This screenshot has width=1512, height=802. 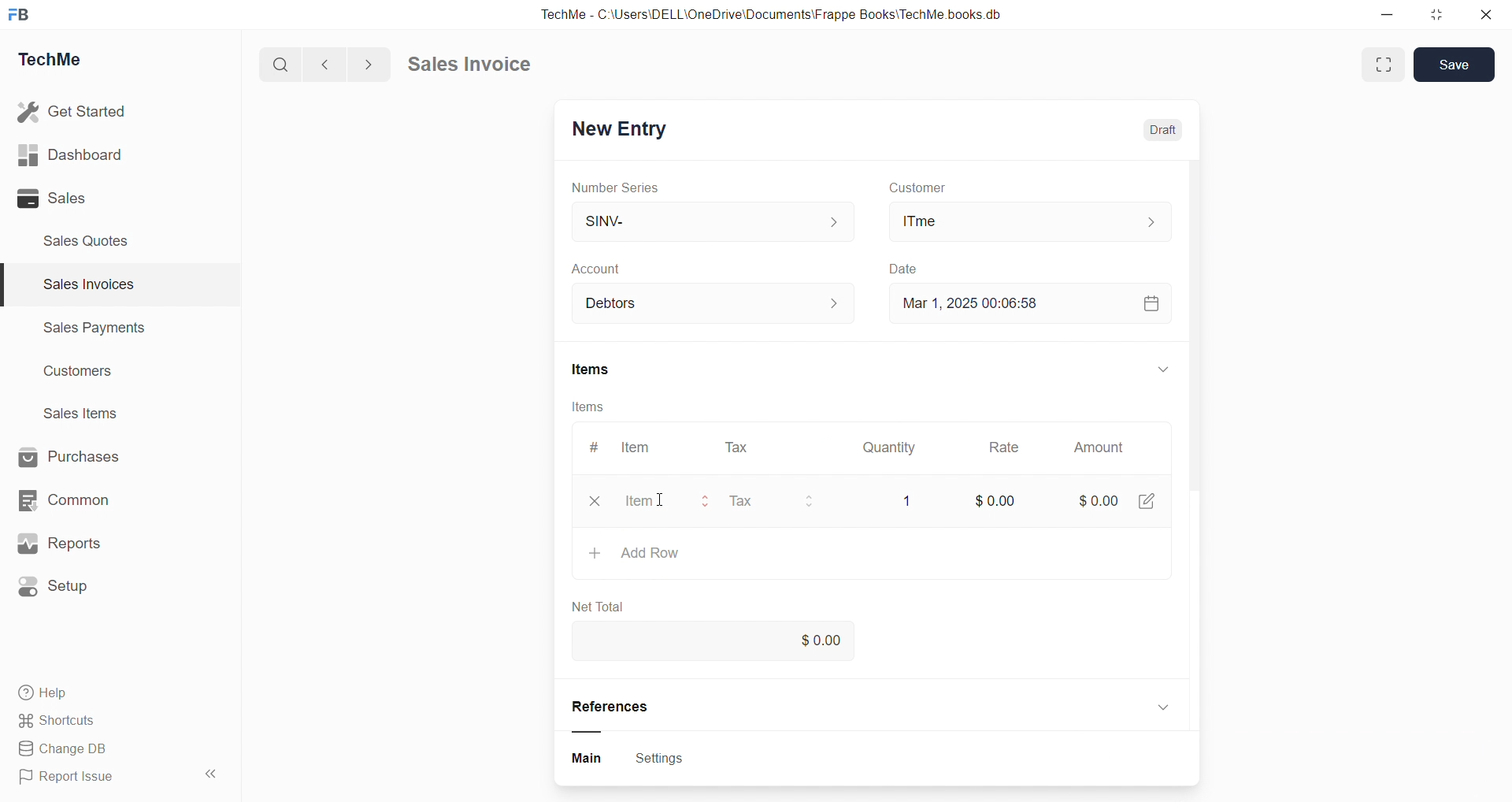 What do you see at coordinates (1169, 132) in the screenshot?
I see `Draft` at bounding box center [1169, 132].